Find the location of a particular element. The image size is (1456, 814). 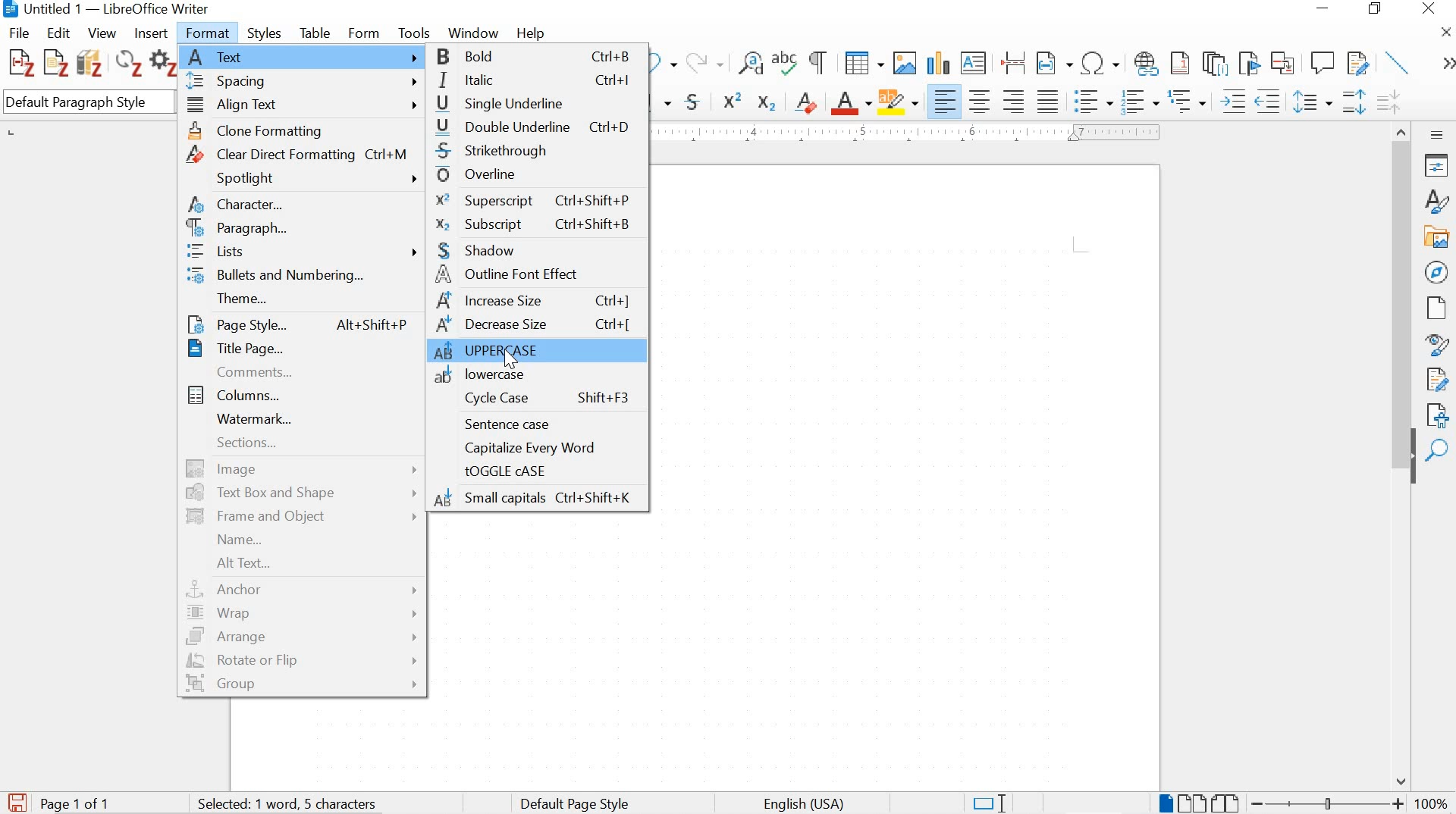

insert image is located at coordinates (904, 62).